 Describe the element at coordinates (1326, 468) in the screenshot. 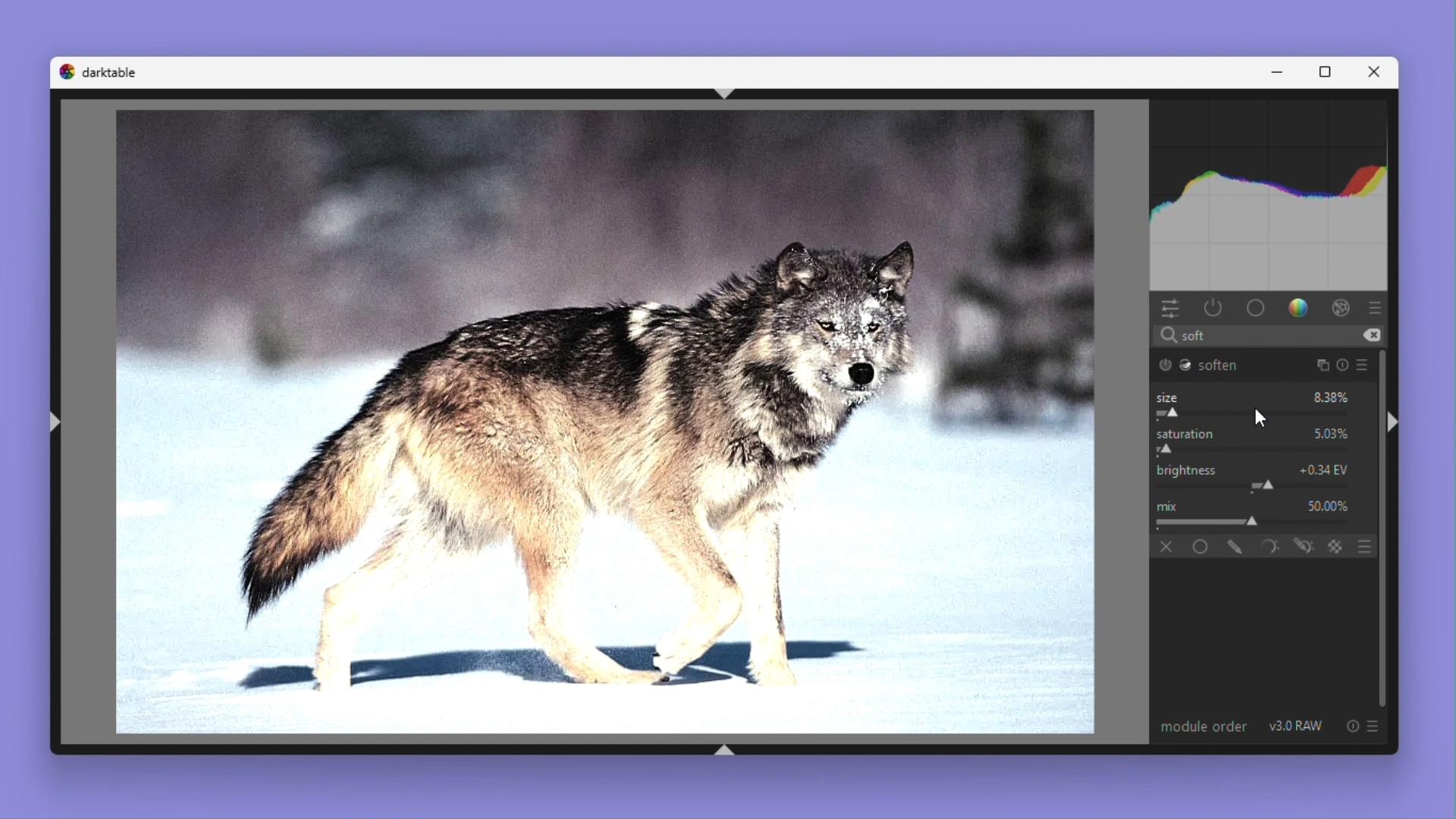

I see `Value ` at that location.